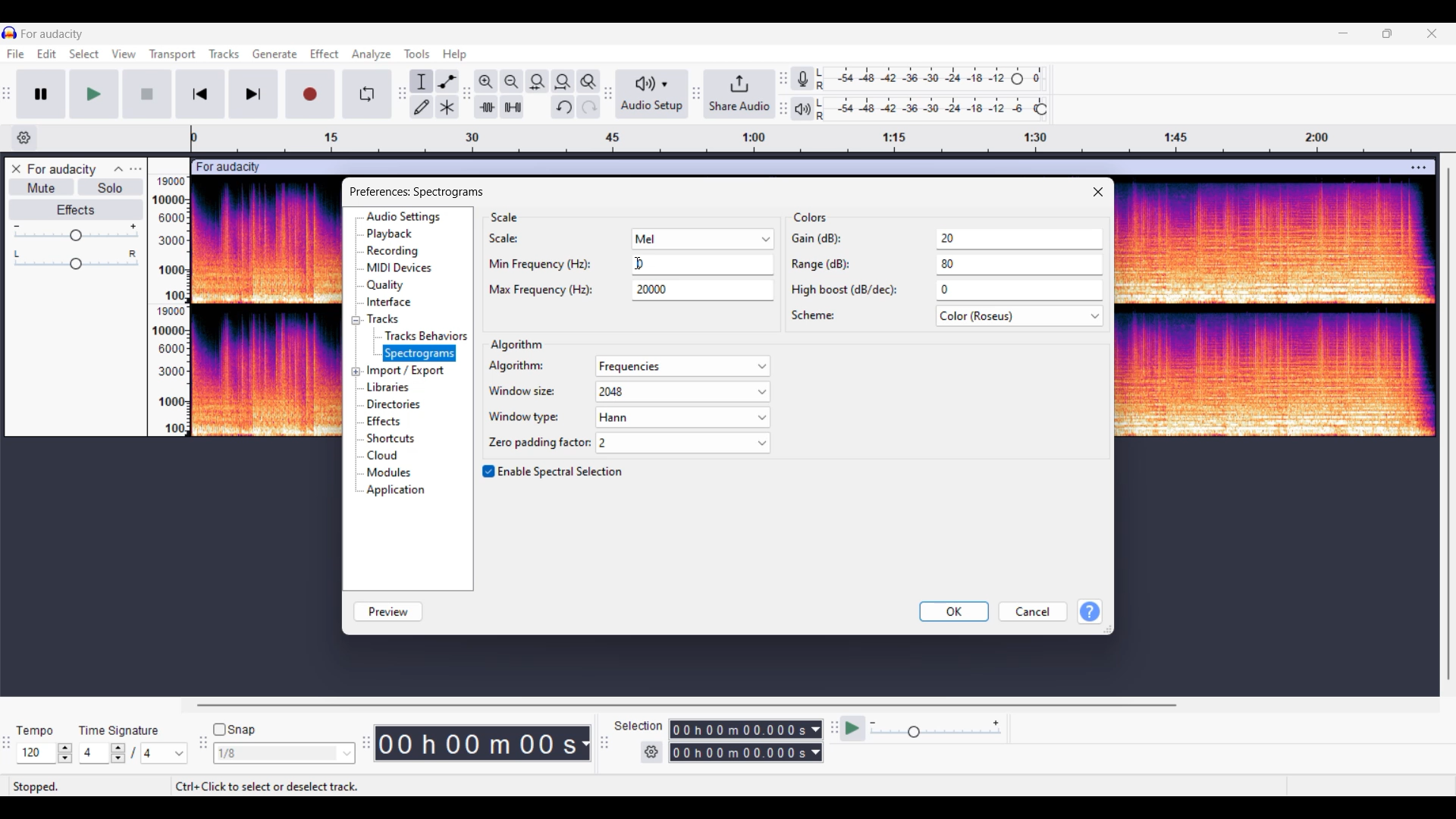 The width and height of the screenshot is (1456, 819). What do you see at coordinates (626, 394) in the screenshot?
I see `window size` at bounding box center [626, 394].